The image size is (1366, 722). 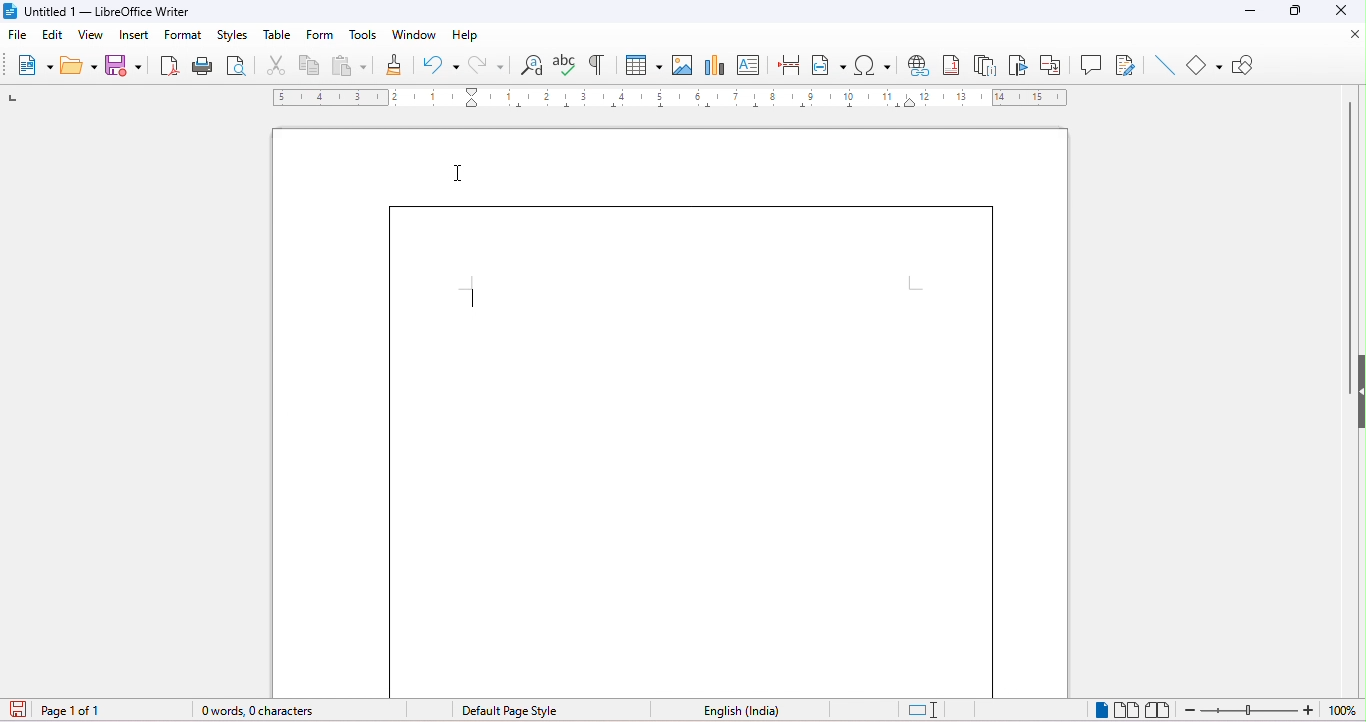 I want to click on special characters, so click(x=877, y=68).